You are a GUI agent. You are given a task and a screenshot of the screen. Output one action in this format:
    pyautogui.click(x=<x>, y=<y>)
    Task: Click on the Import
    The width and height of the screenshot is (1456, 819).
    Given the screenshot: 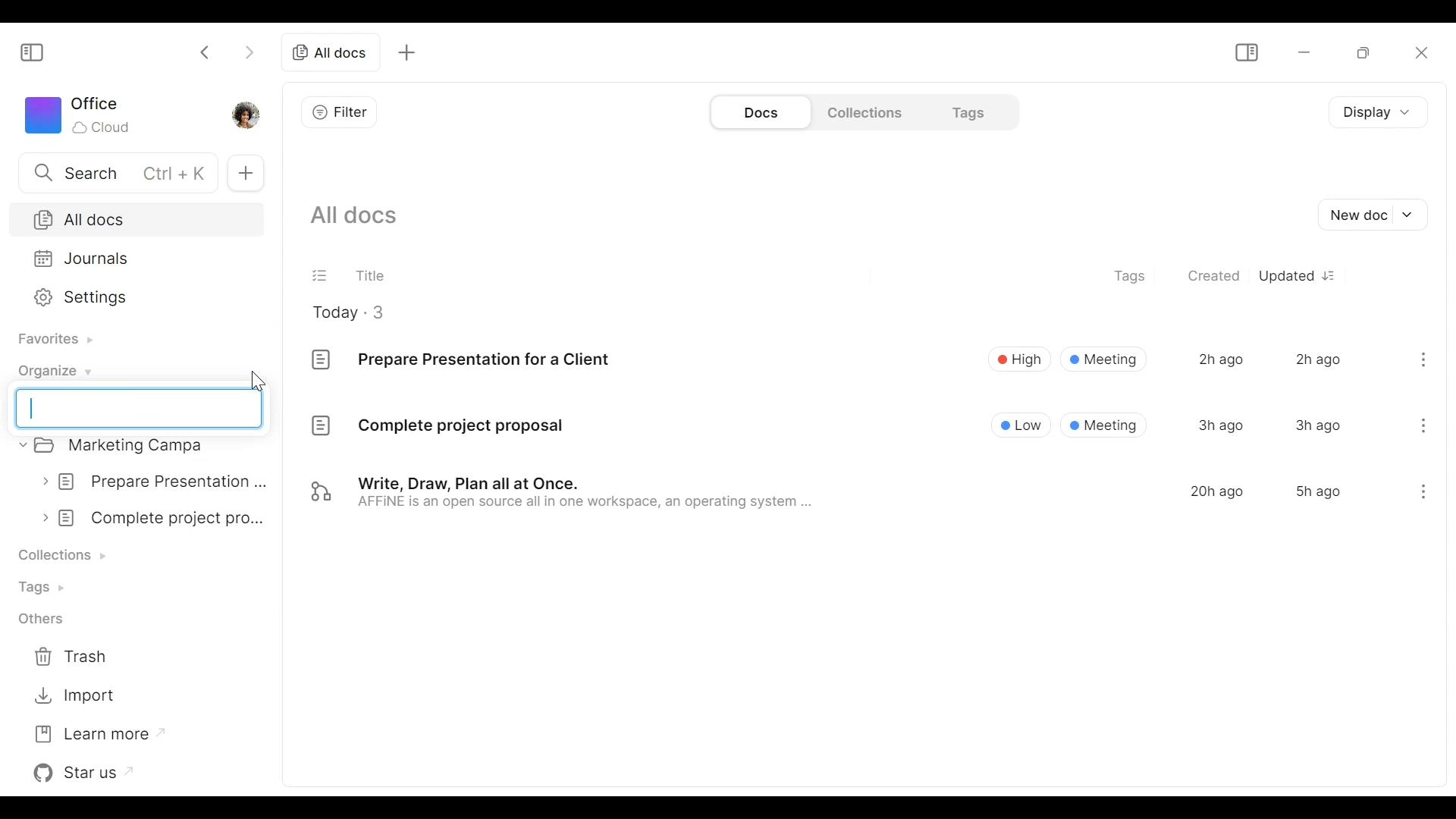 What is the action you would take?
    pyautogui.click(x=79, y=692)
    